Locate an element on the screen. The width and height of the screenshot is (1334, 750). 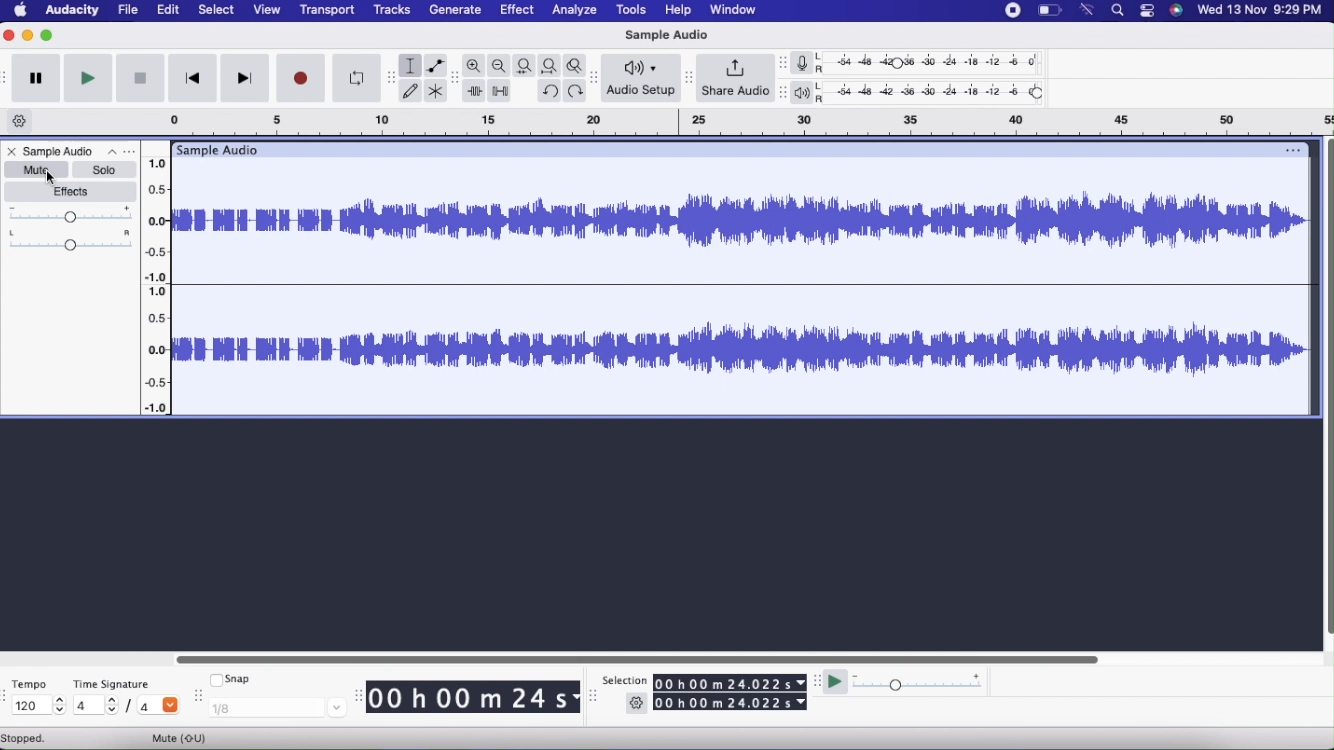
Close is located at coordinates (8, 36).